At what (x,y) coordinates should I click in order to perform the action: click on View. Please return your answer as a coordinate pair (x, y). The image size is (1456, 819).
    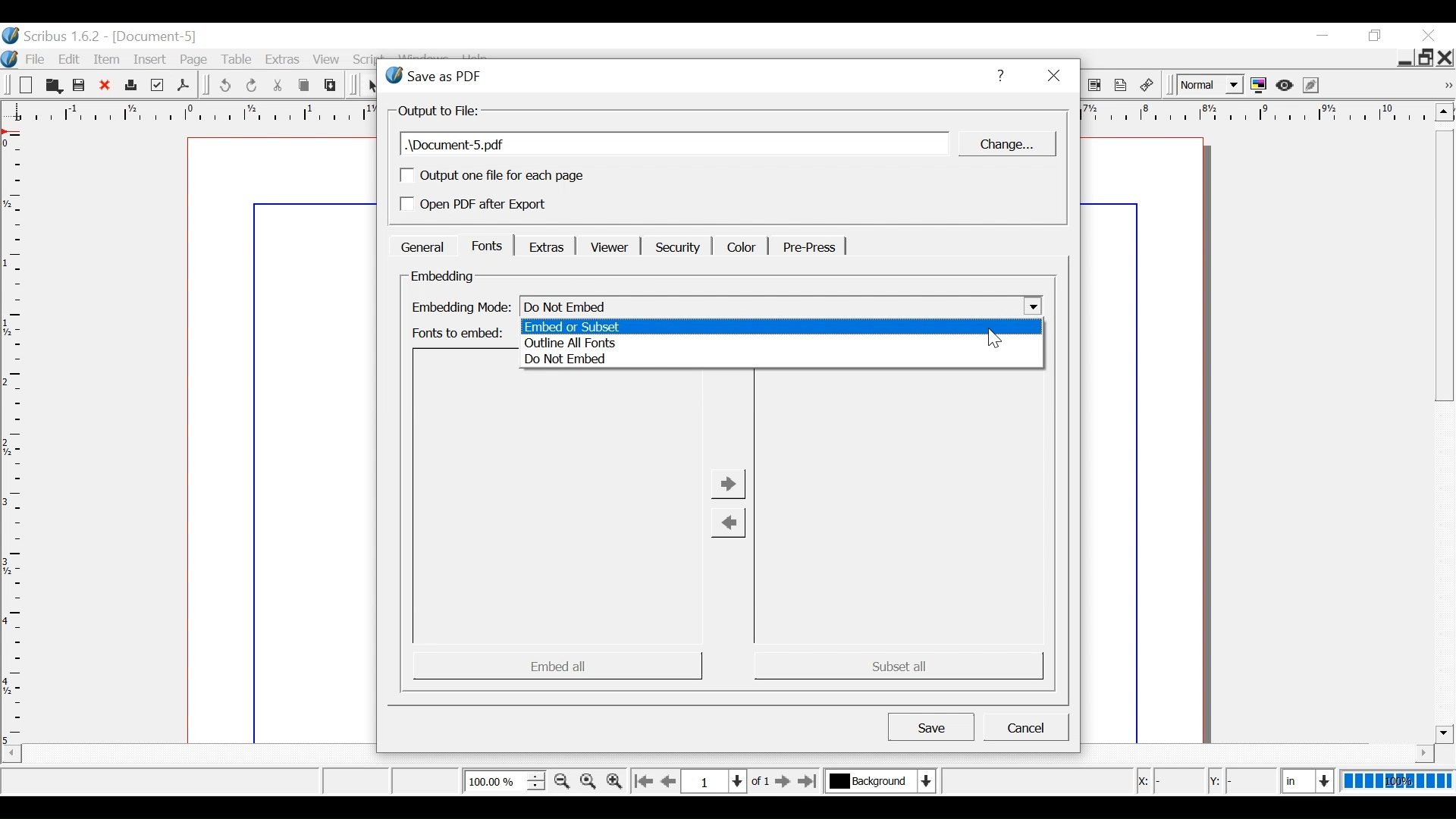
    Looking at the image, I should click on (327, 61).